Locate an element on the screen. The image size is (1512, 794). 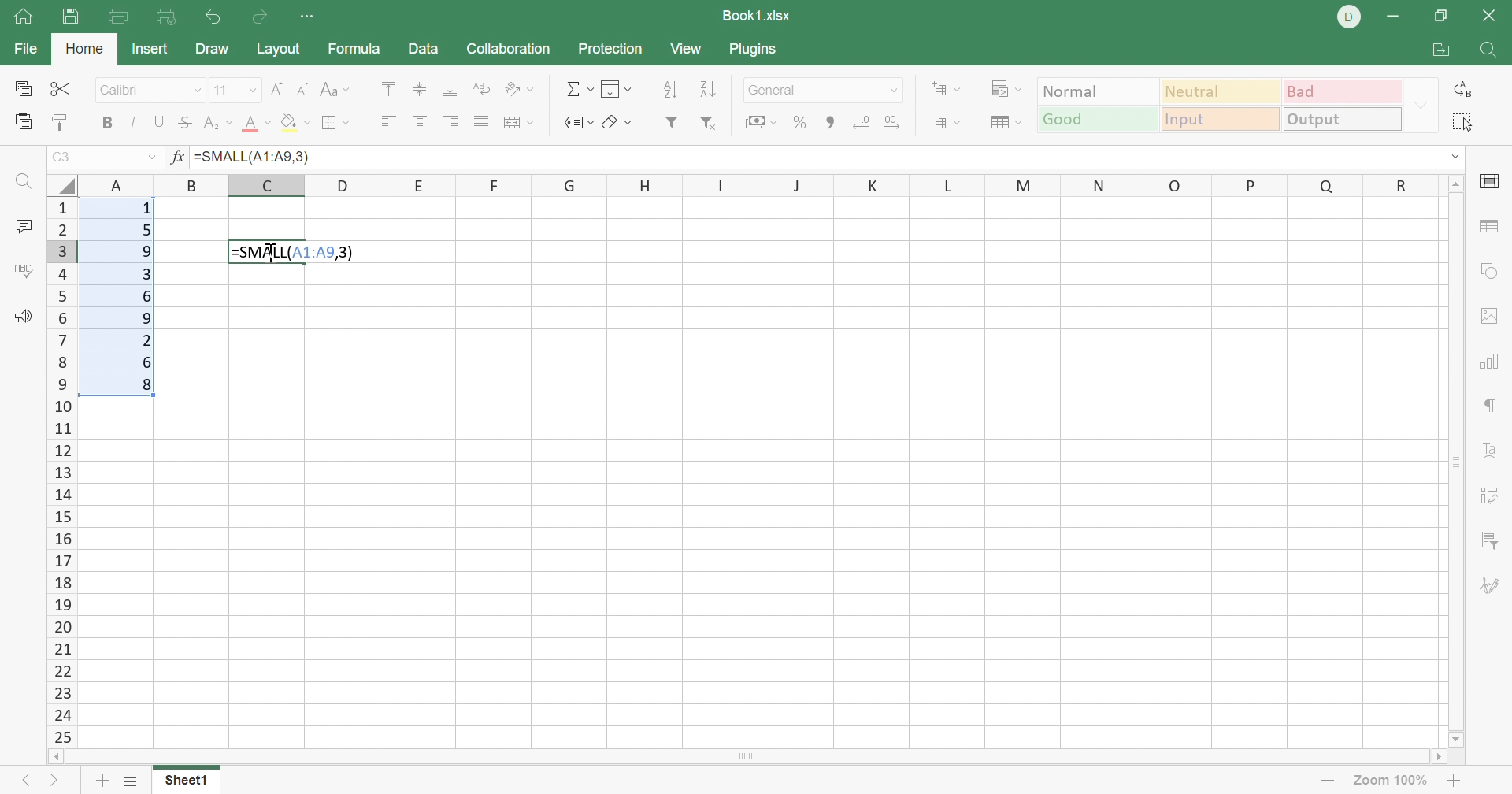
Subscript is located at coordinates (216, 124).